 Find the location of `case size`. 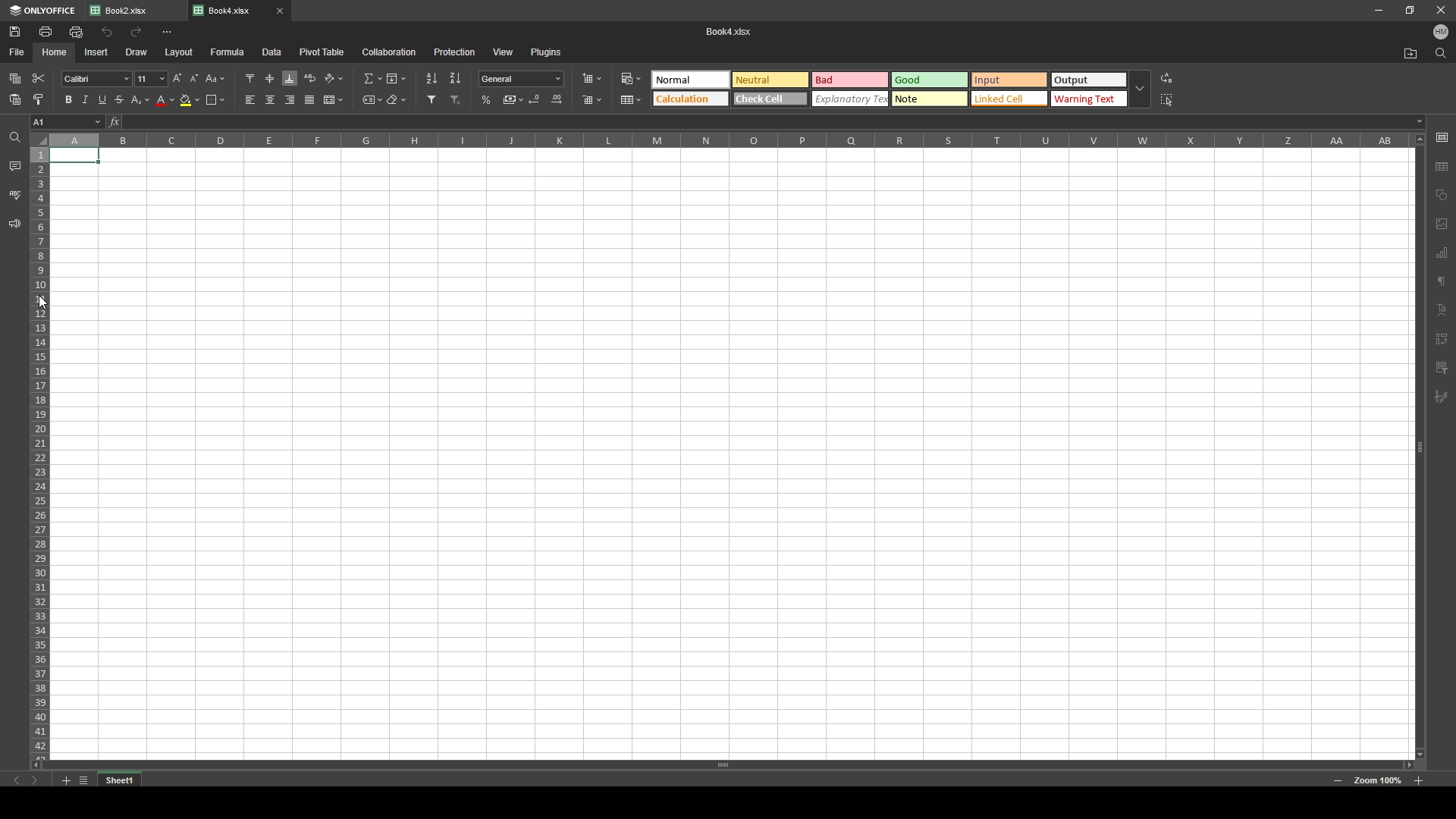

case size is located at coordinates (149, 79).